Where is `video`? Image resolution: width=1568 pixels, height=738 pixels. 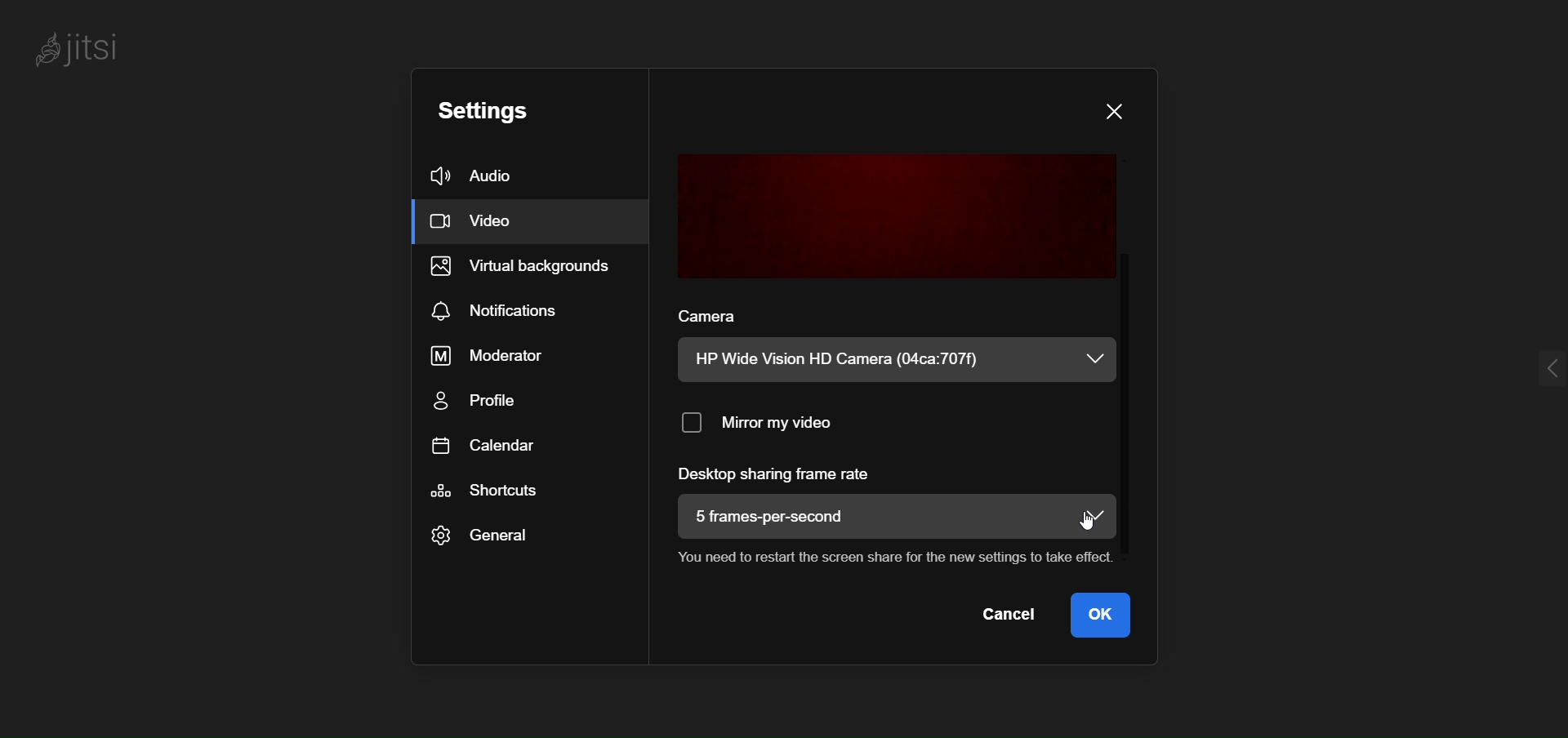 video is located at coordinates (490, 224).